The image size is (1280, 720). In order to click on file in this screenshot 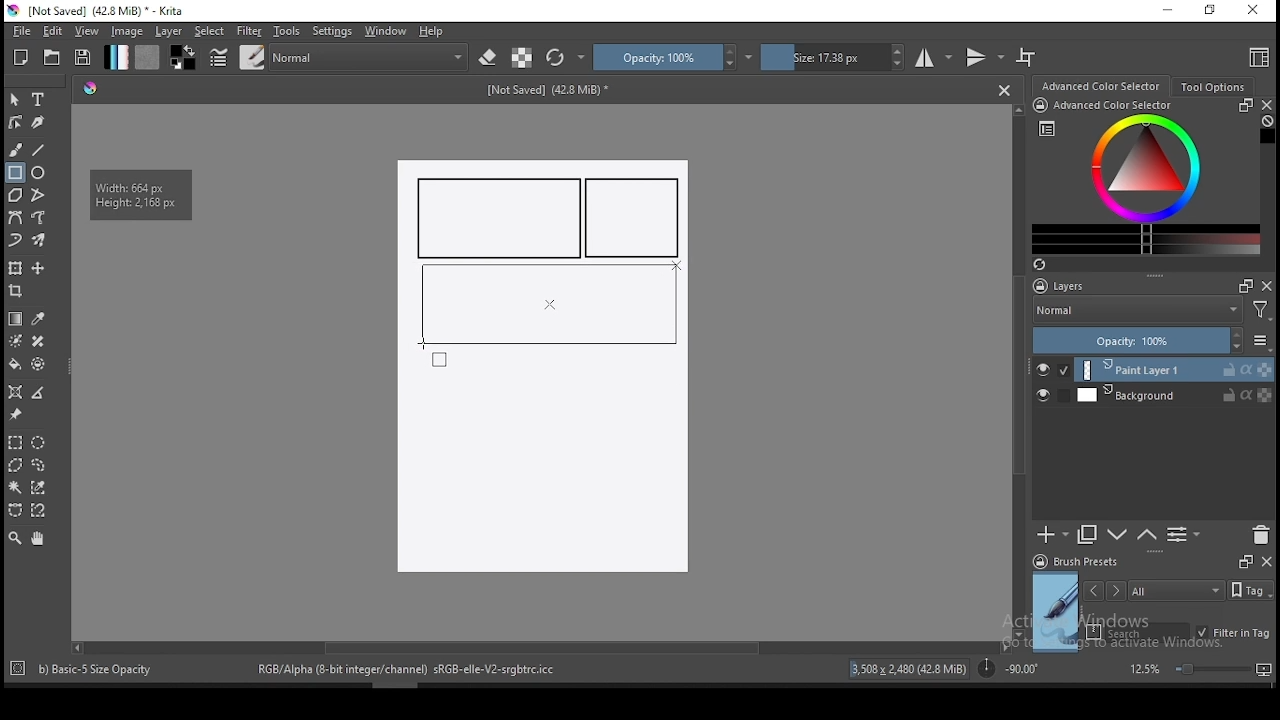, I will do `click(21, 31)`.